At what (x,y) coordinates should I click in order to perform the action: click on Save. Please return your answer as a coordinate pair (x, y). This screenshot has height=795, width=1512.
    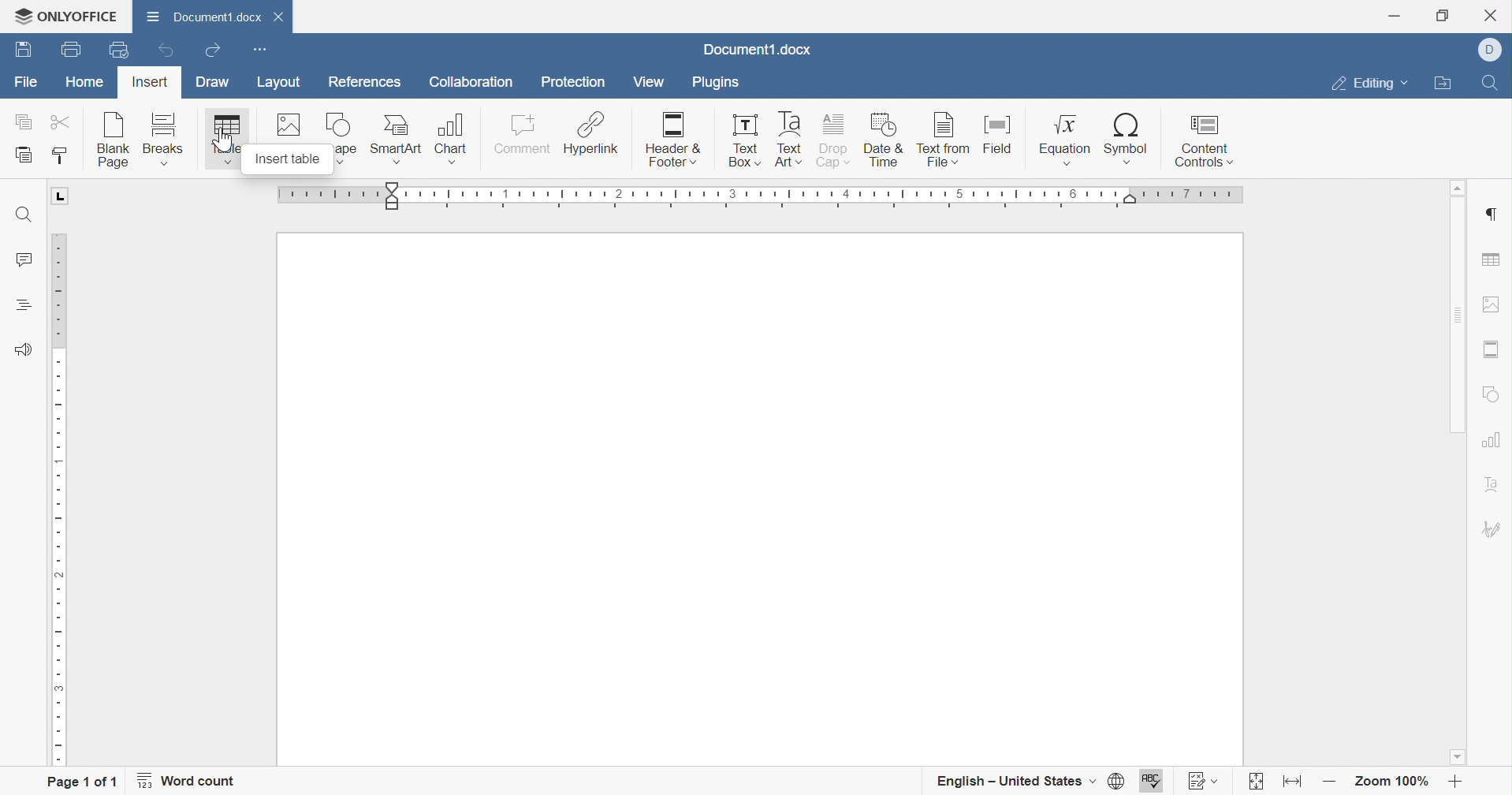
    Looking at the image, I should click on (23, 48).